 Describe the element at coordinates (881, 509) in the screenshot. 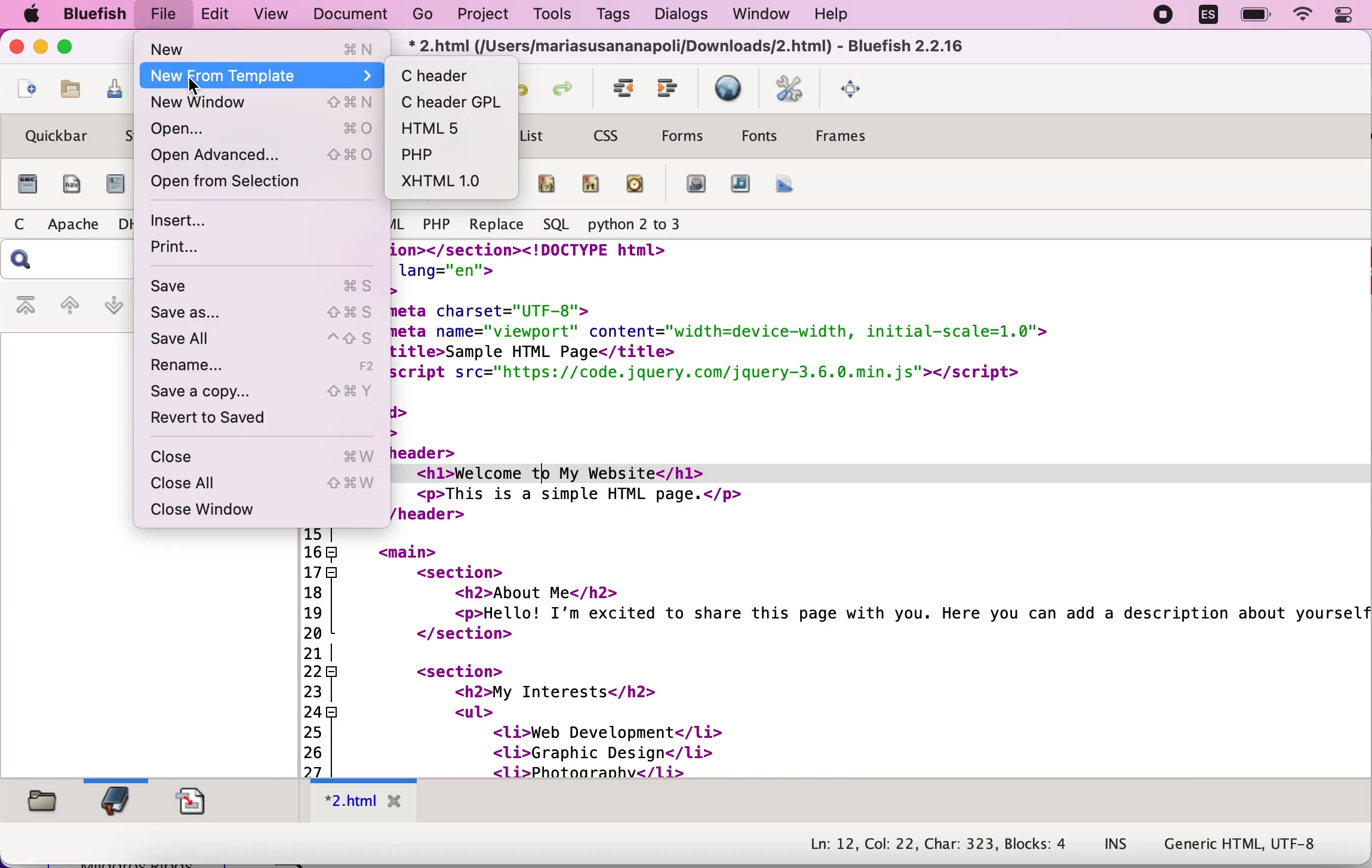

I see `code to speed up workflow` at that location.